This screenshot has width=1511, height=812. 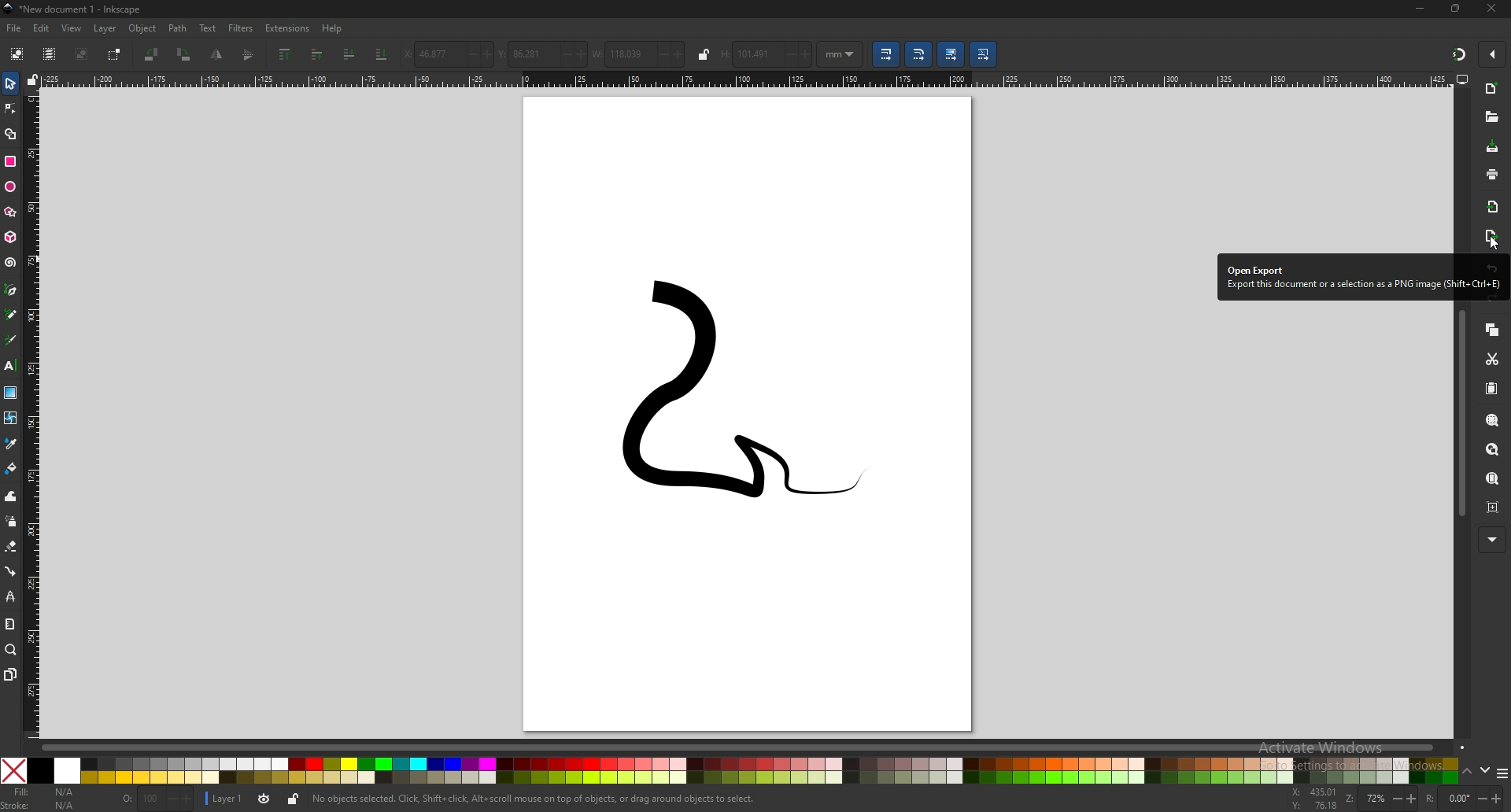 I want to click on lower selection one step, so click(x=350, y=53).